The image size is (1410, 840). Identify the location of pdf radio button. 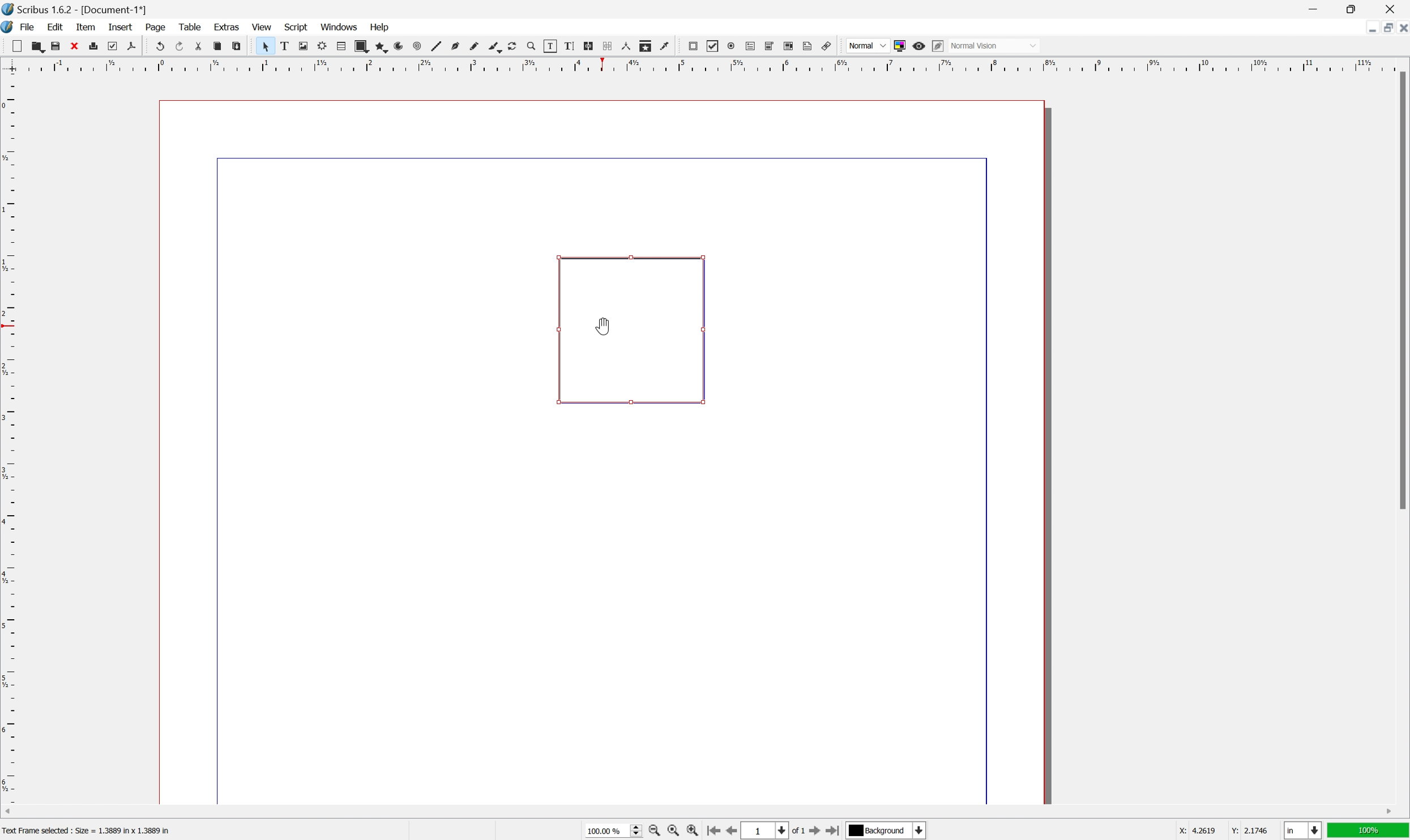
(731, 46).